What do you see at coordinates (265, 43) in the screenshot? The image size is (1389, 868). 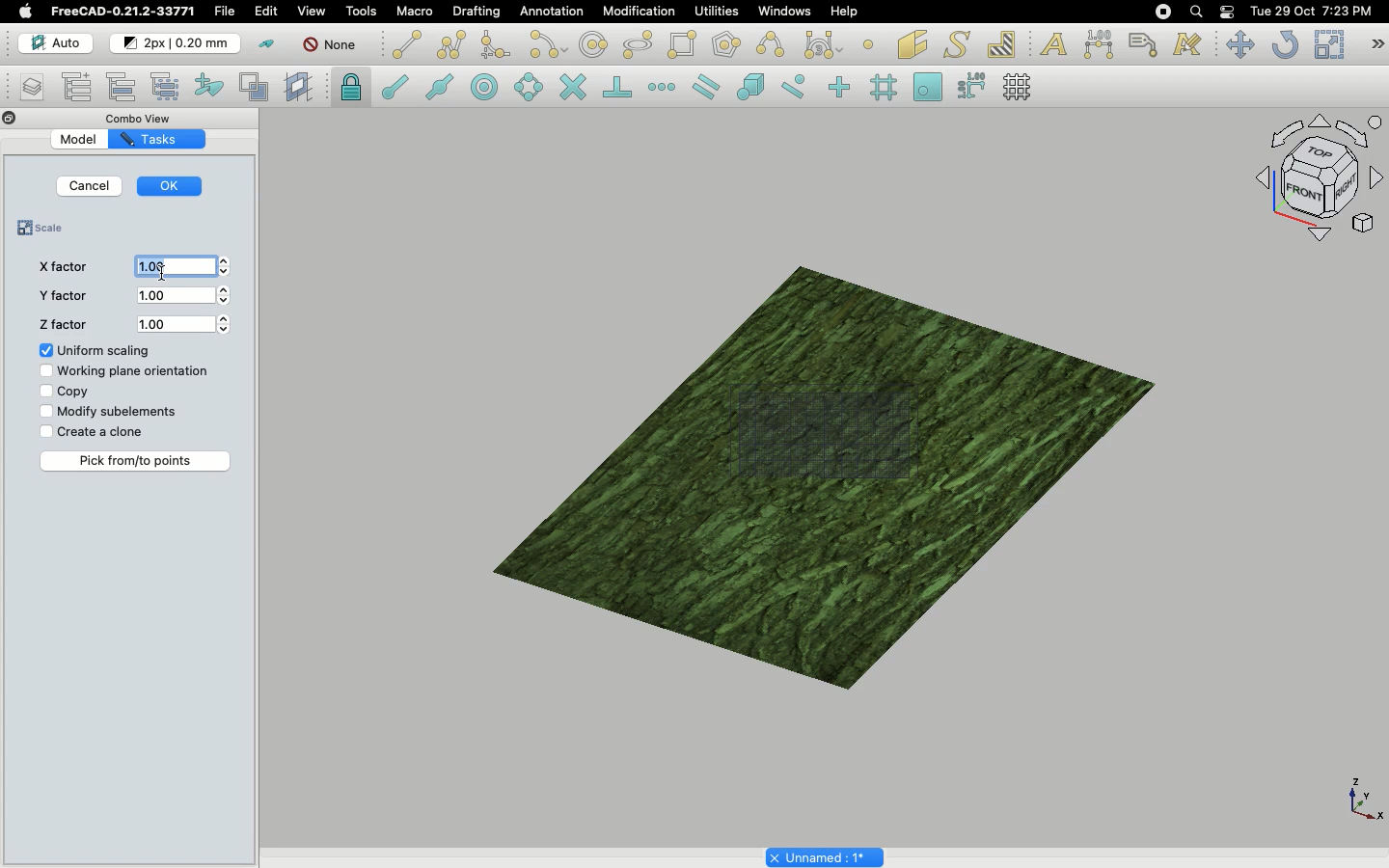 I see `Toggle construction mode` at bounding box center [265, 43].